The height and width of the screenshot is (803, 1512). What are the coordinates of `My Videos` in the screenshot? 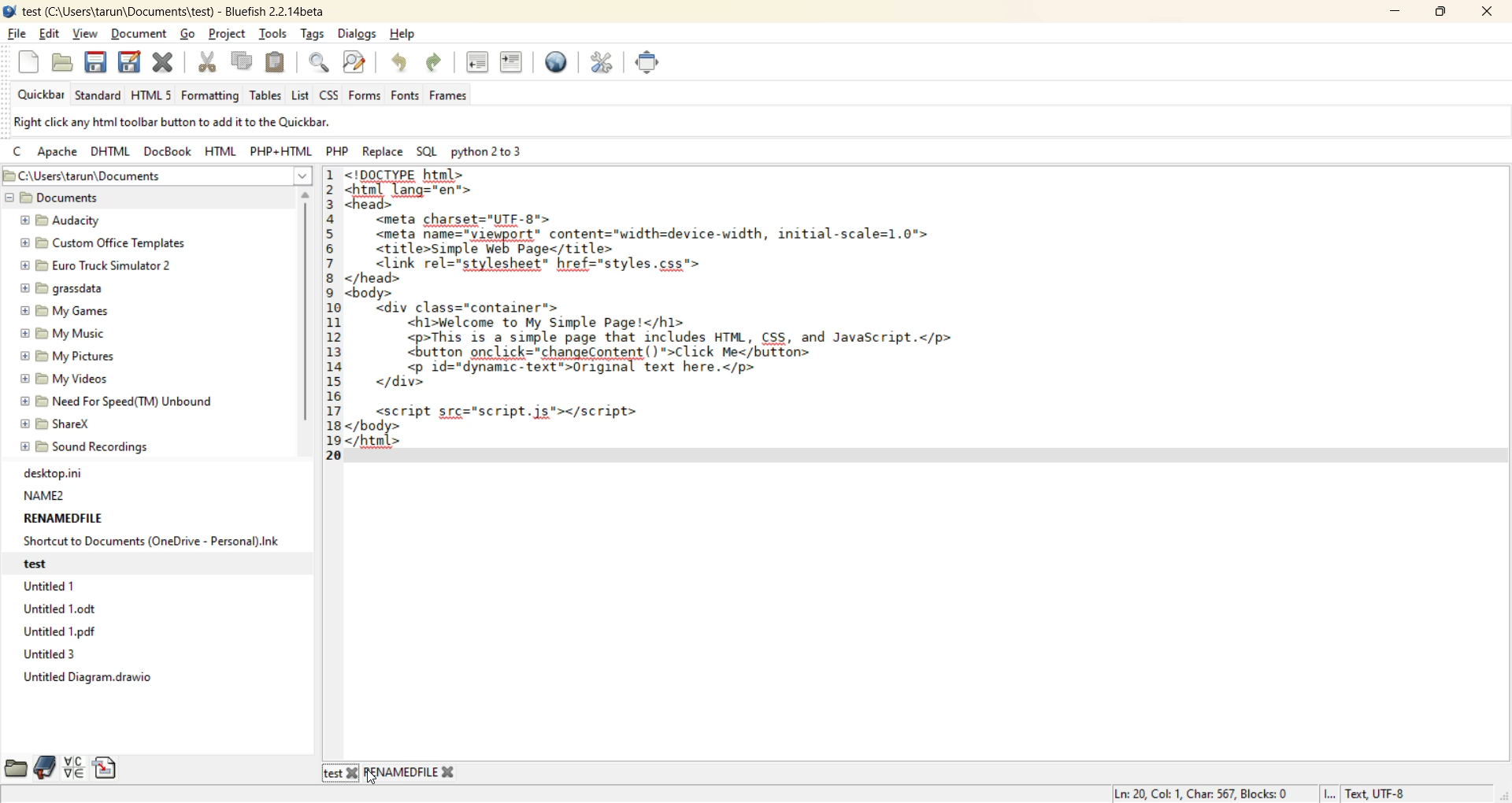 It's located at (60, 377).